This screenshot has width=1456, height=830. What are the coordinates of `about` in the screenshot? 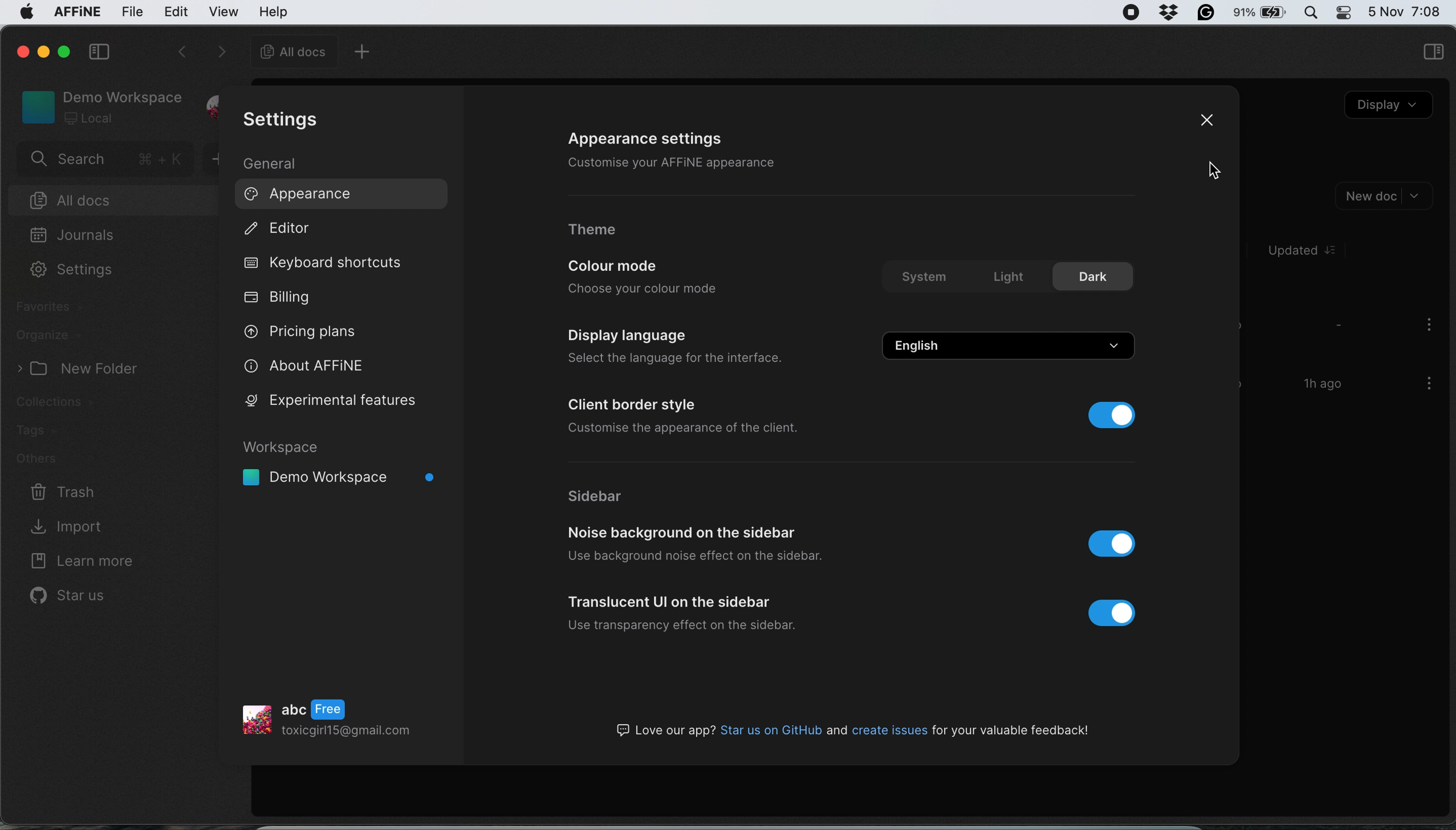 It's located at (311, 365).